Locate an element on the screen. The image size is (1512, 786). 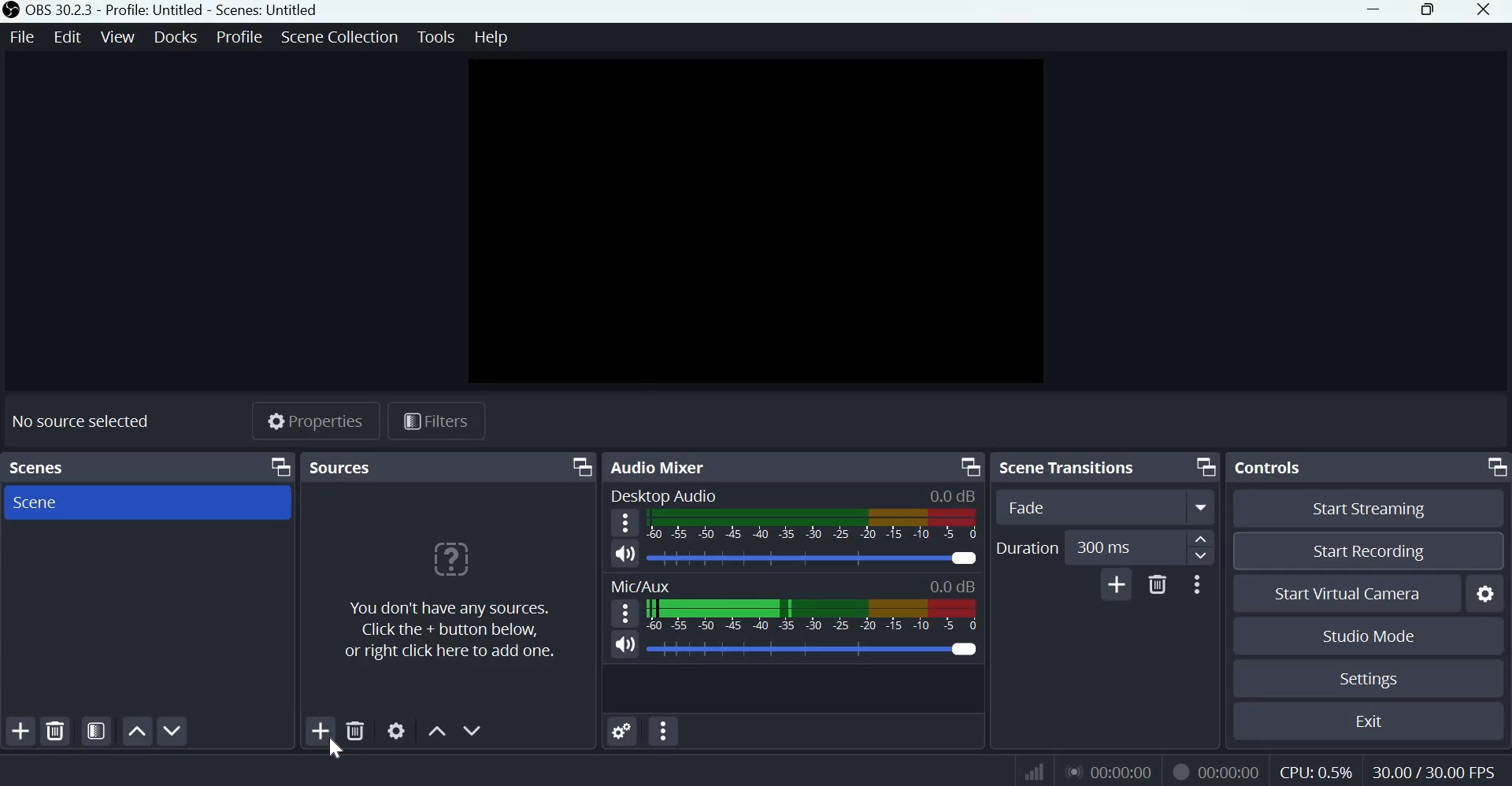
Scenes is located at coordinates (43, 469).